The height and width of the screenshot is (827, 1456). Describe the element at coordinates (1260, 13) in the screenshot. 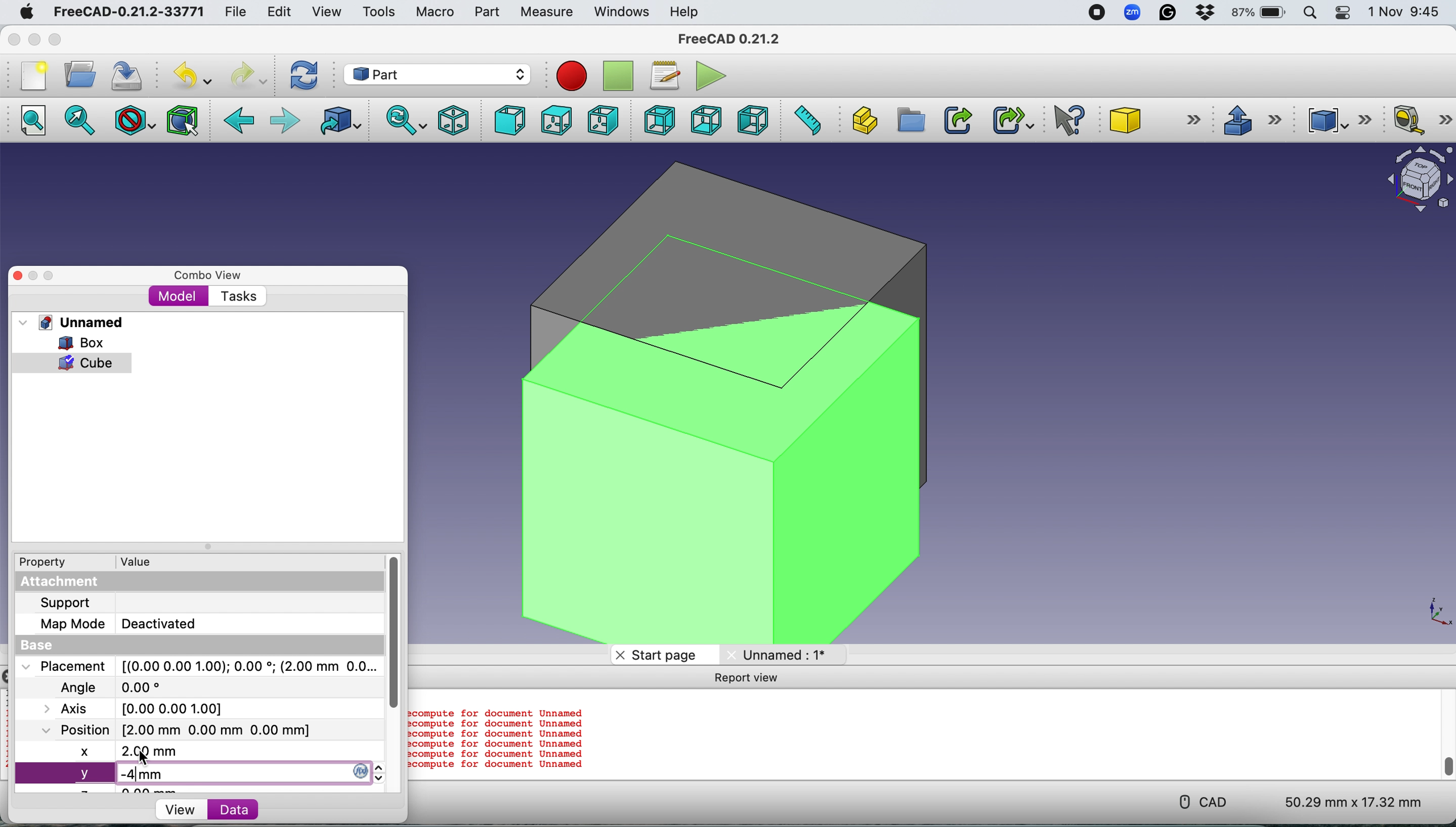

I see `87% battery` at that location.